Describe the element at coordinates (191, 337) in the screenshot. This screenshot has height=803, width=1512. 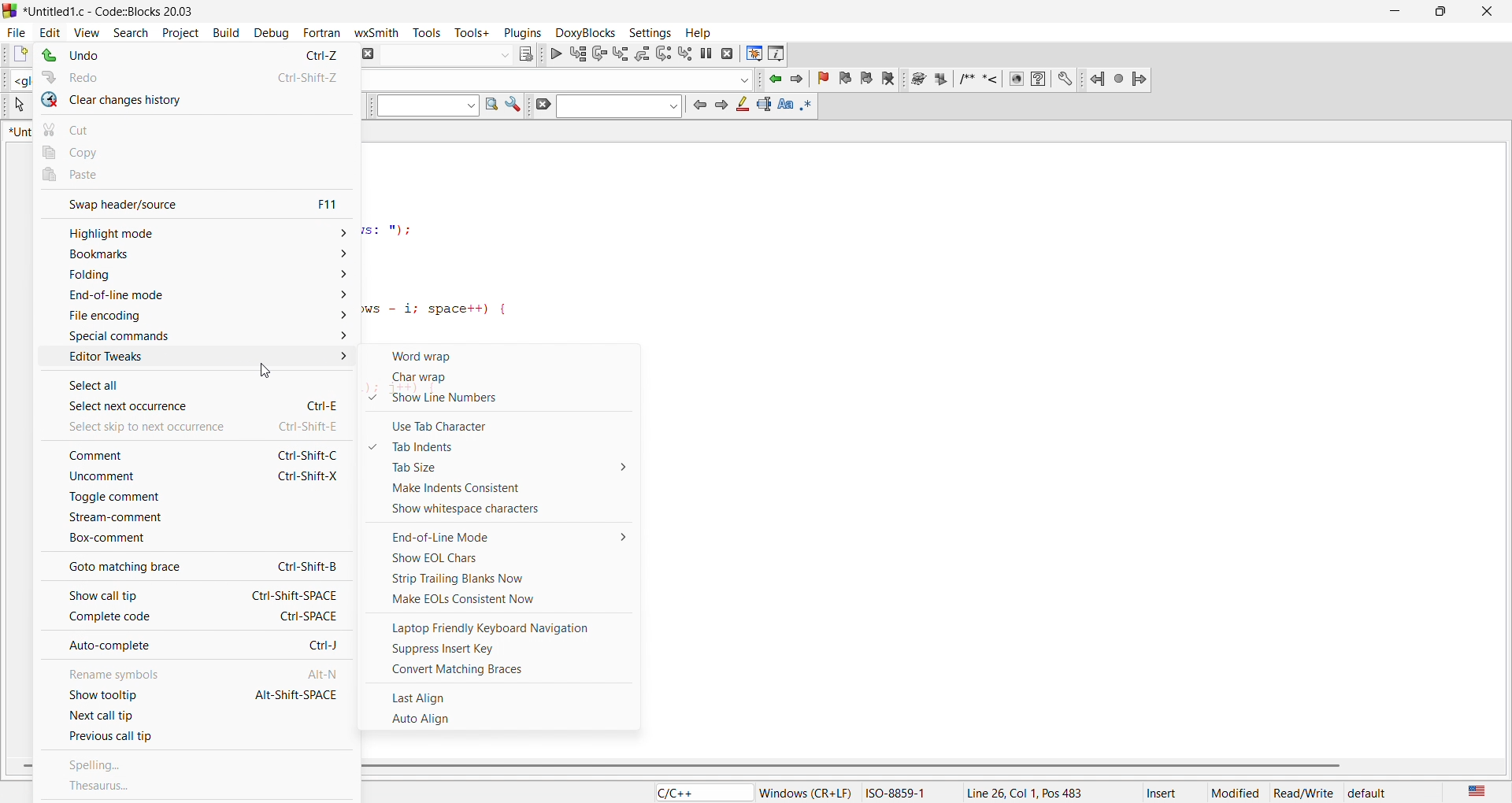
I see `special commands ` at that location.